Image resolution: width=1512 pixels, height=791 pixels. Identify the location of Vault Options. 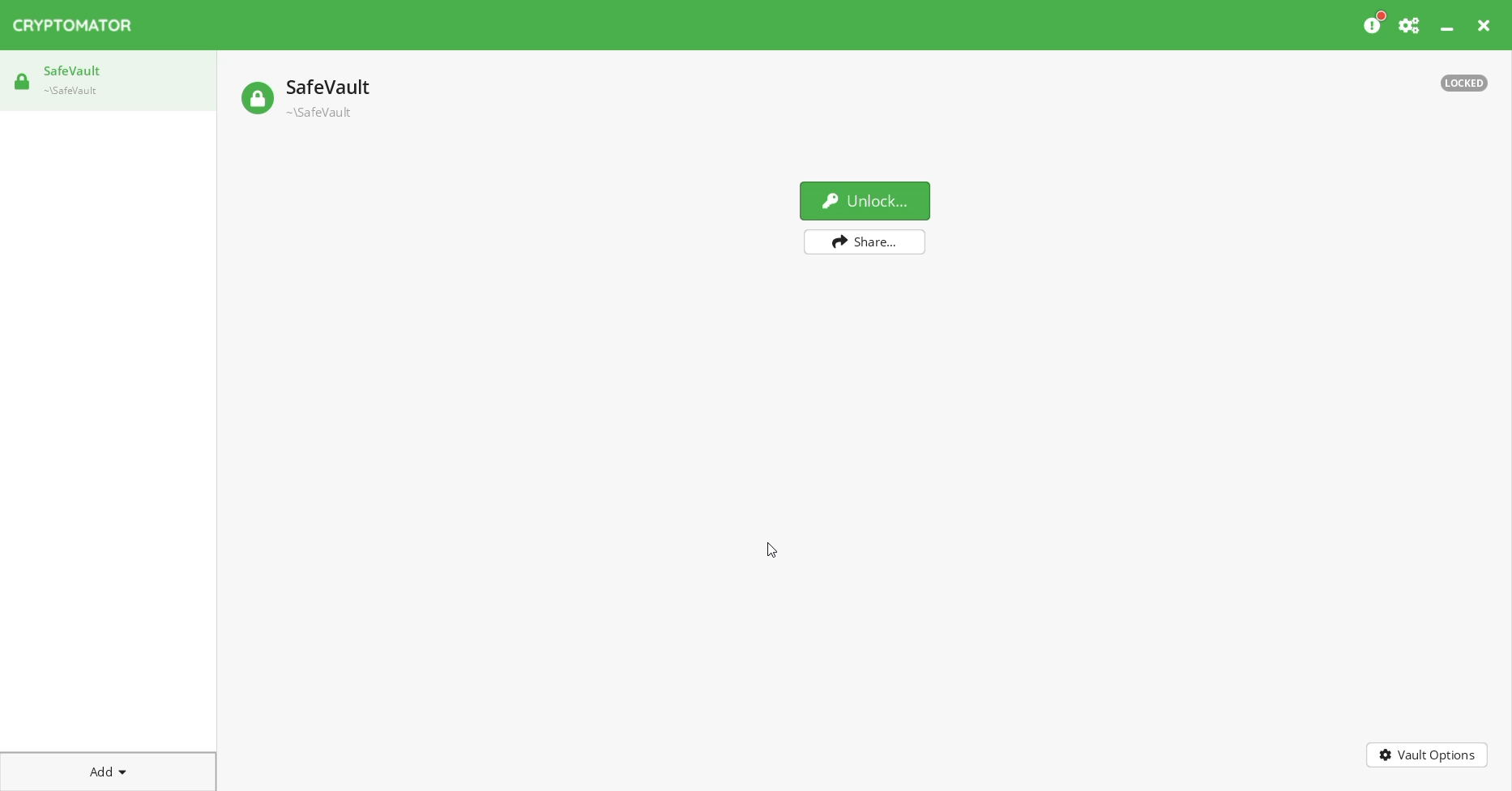
(1428, 755).